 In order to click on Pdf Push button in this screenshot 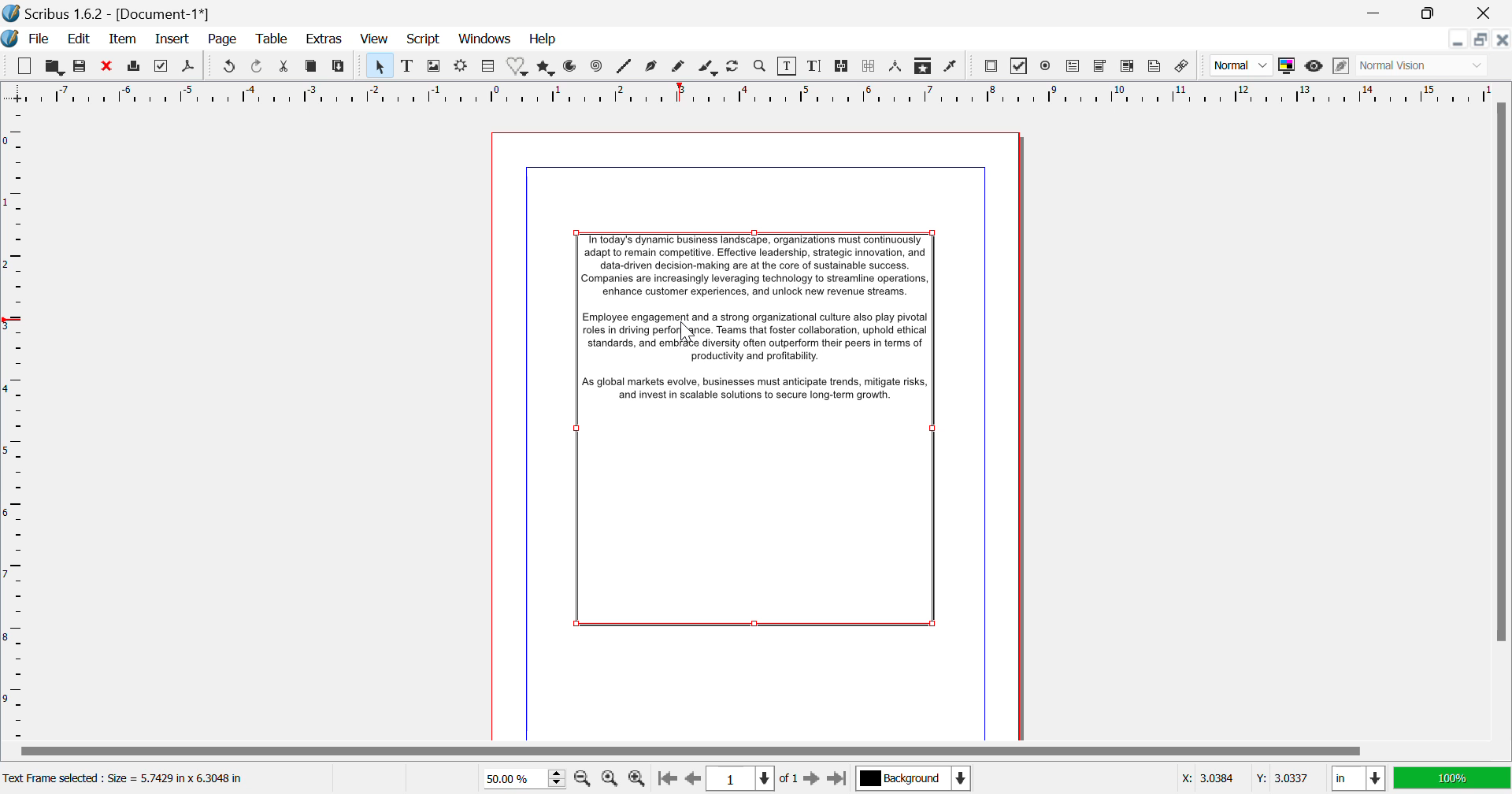, I will do `click(991, 65)`.